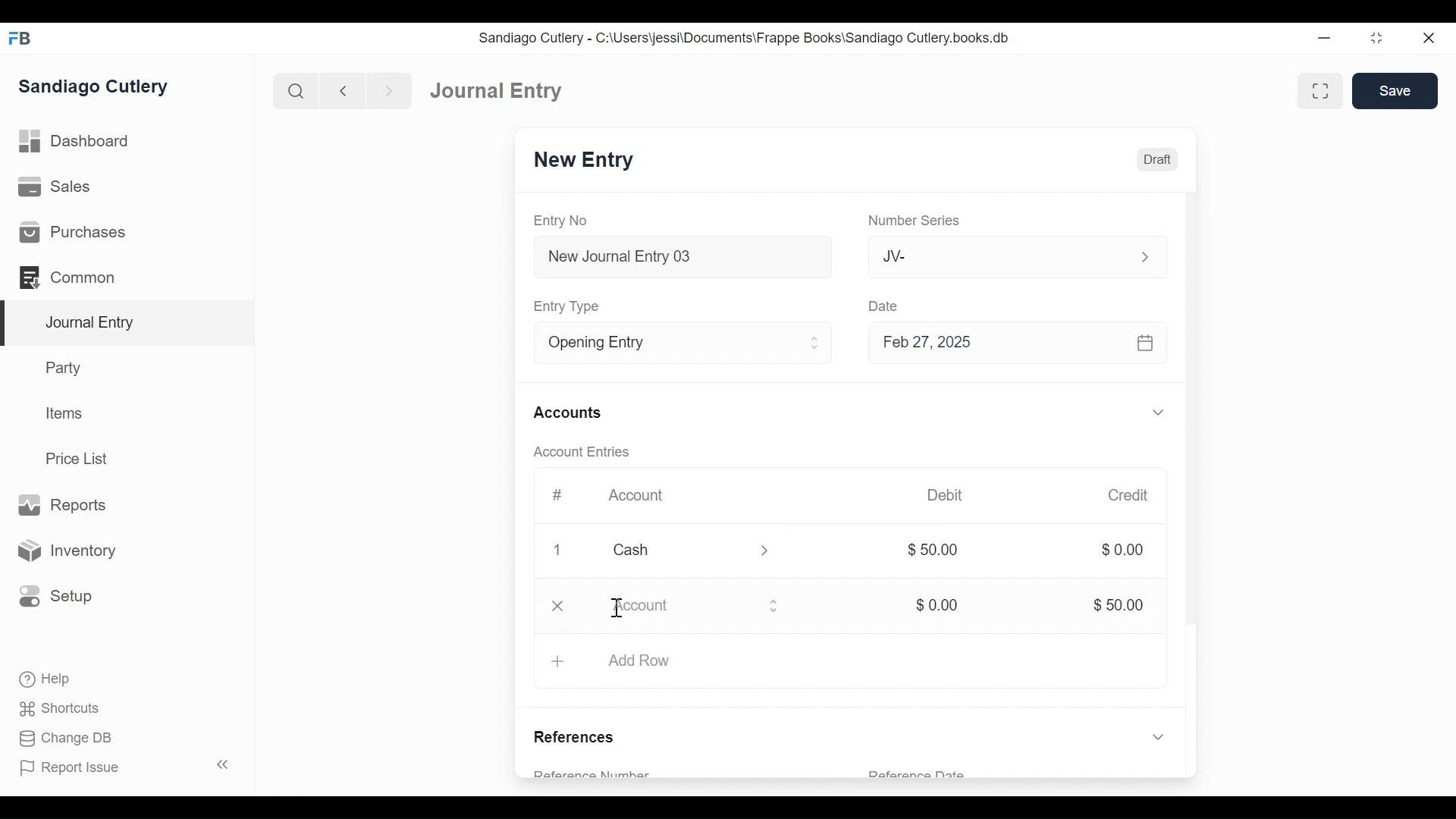 This screenshot has height=819, width=1456. What do you see at coordinates (20, 39) in the screenshot?
I see `Frappe Books Desktop Icon` at bounding box center [20, 39].